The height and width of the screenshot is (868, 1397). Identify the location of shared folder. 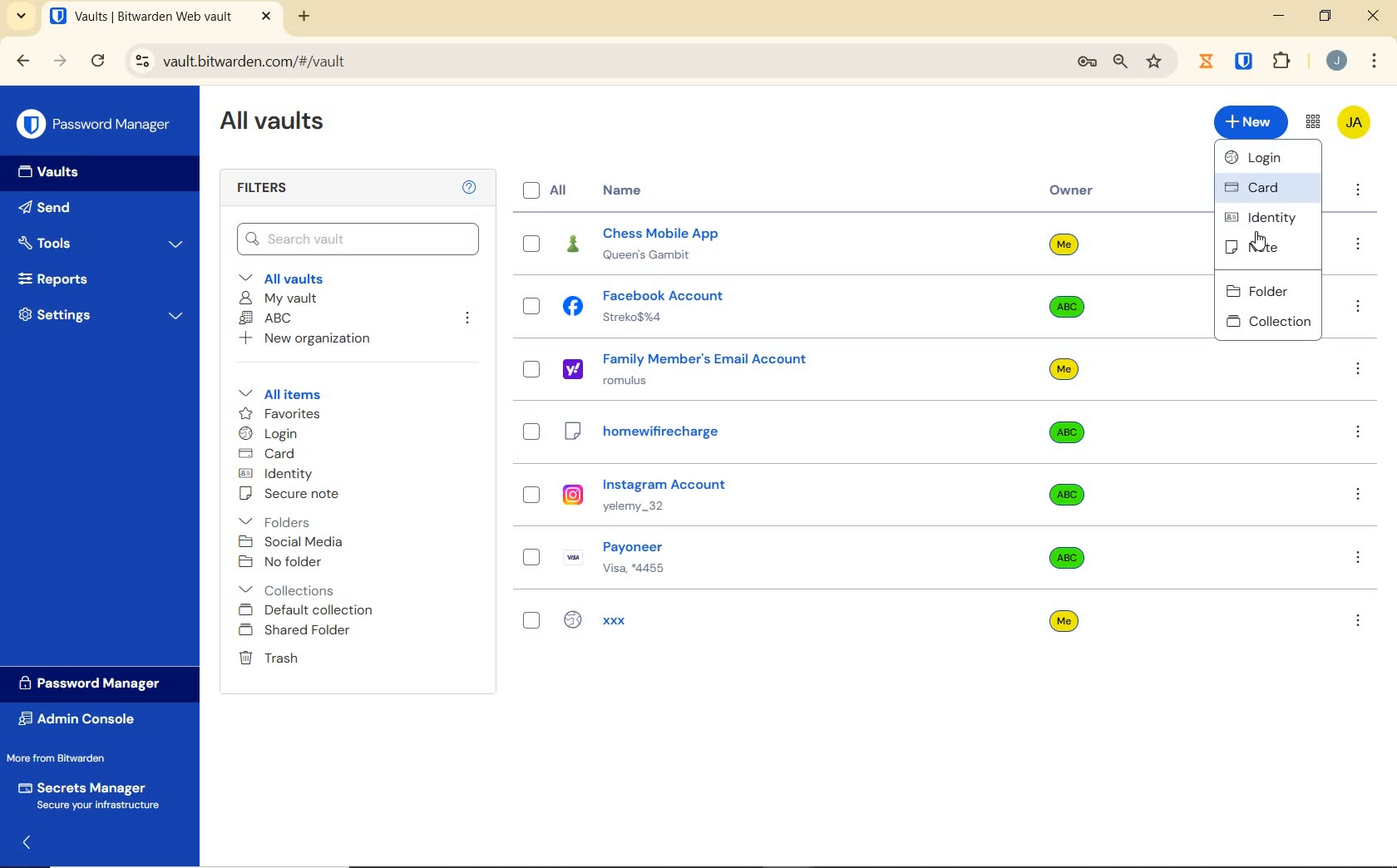
(297, 631).